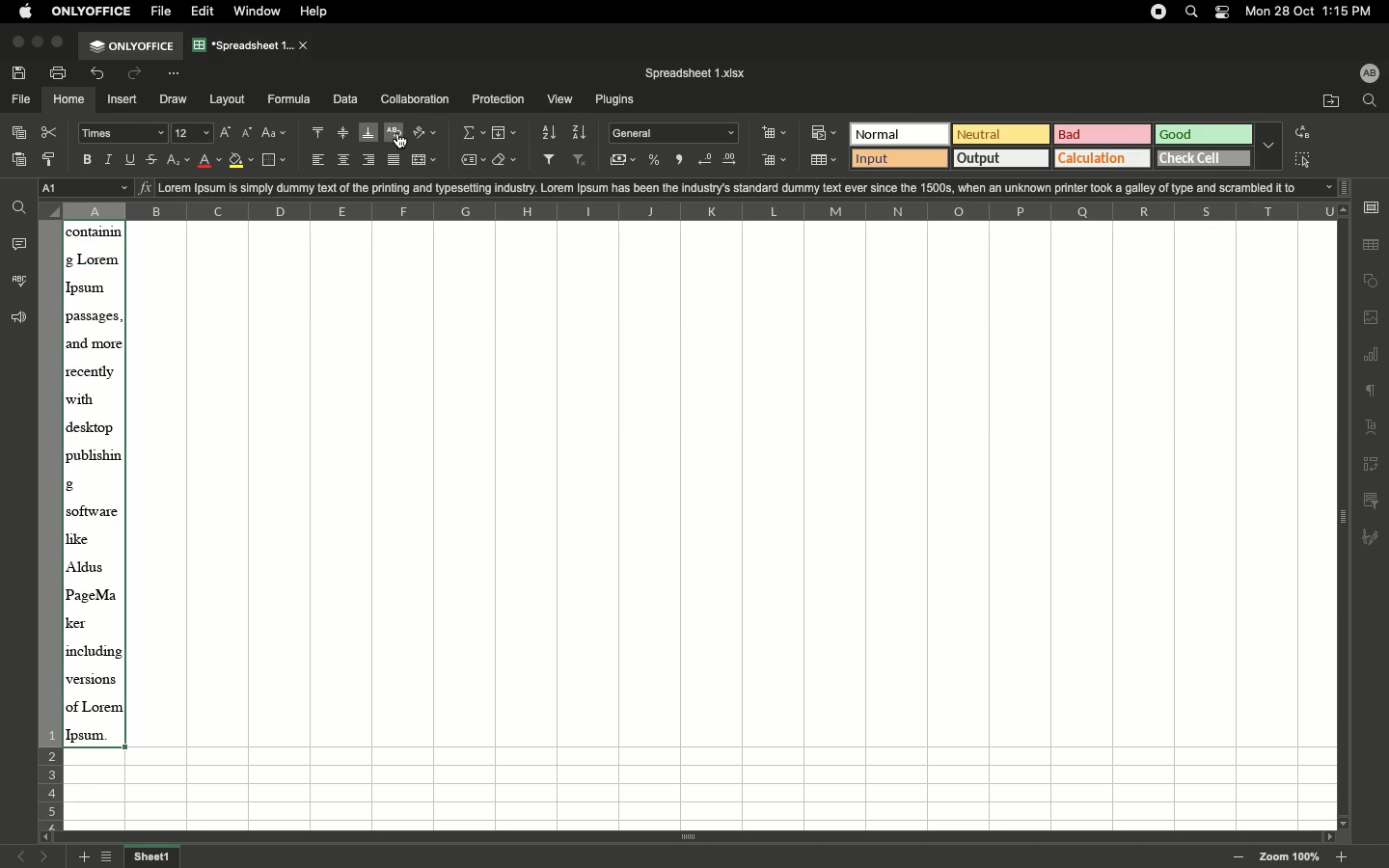 Image resolution: width=1389 pixels, height=868 pixels. I want to click on Next sheet, so click(45, 857).